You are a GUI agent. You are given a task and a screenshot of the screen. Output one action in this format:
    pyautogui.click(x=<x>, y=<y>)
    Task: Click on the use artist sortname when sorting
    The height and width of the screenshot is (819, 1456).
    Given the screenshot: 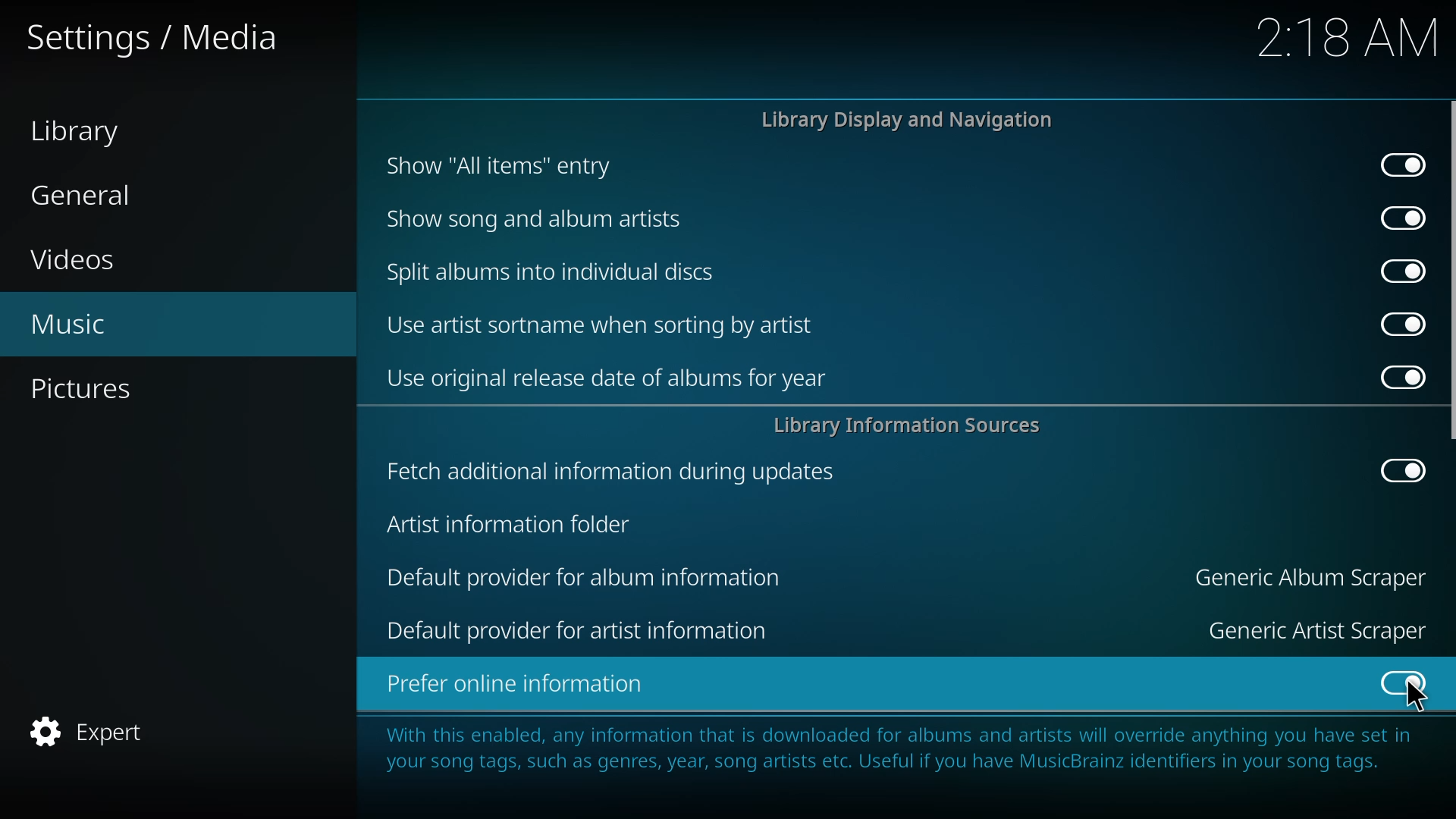 What is the action you would take?
    pyautogui.click(x=602, y=324)
    